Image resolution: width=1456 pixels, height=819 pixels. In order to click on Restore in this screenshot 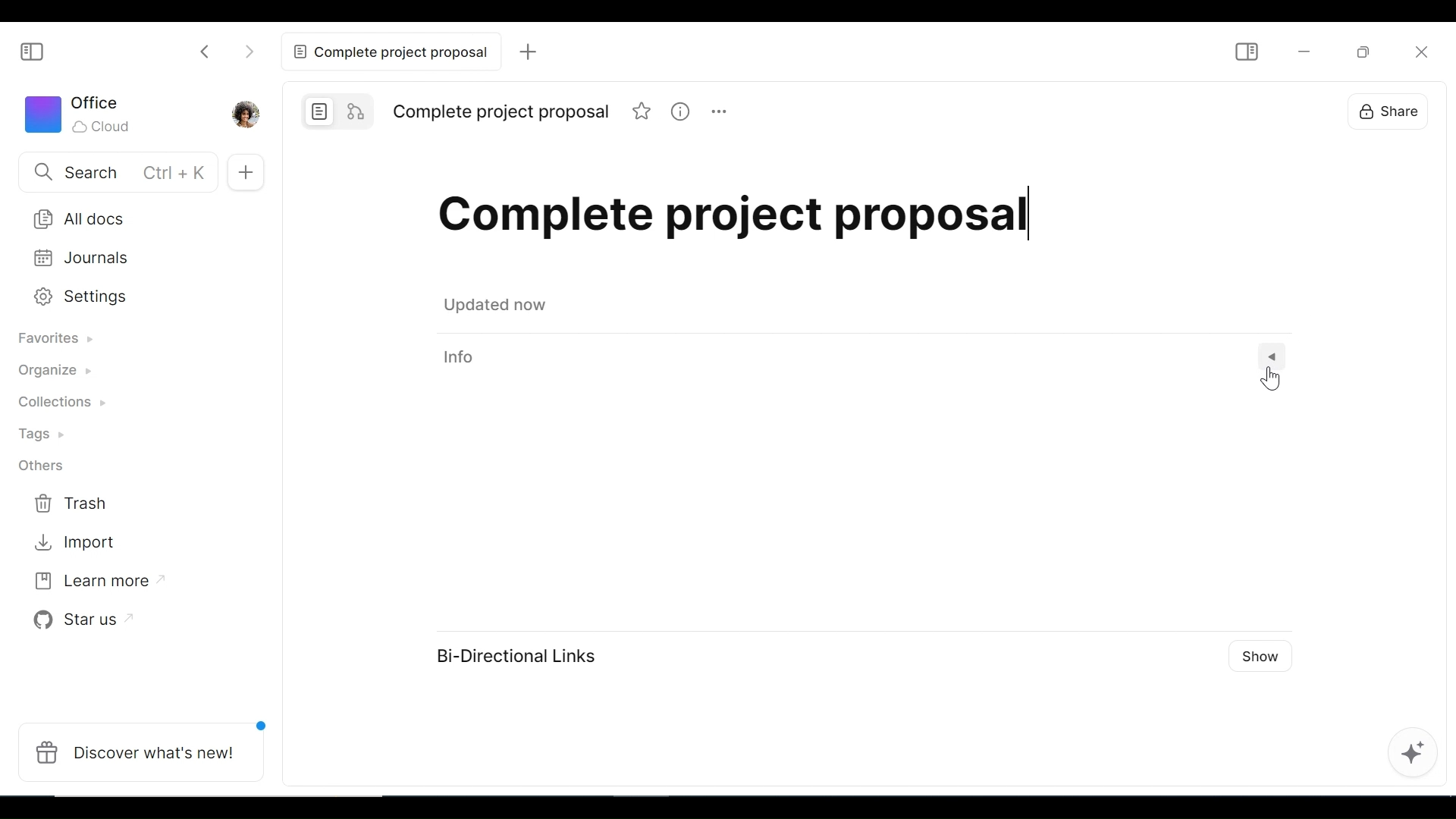, I will do `click(1361, 51)`.